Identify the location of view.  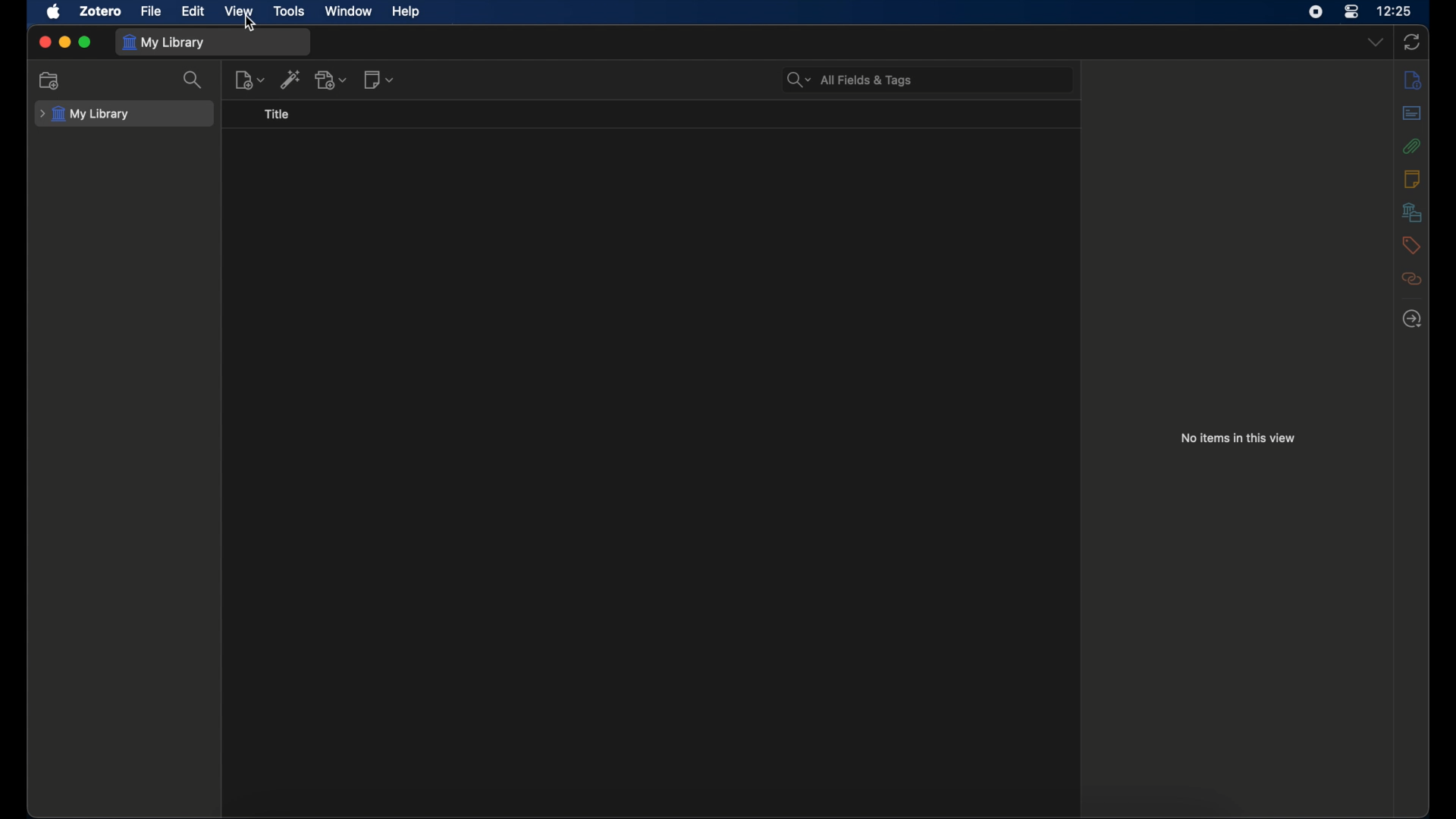
(238, 11).